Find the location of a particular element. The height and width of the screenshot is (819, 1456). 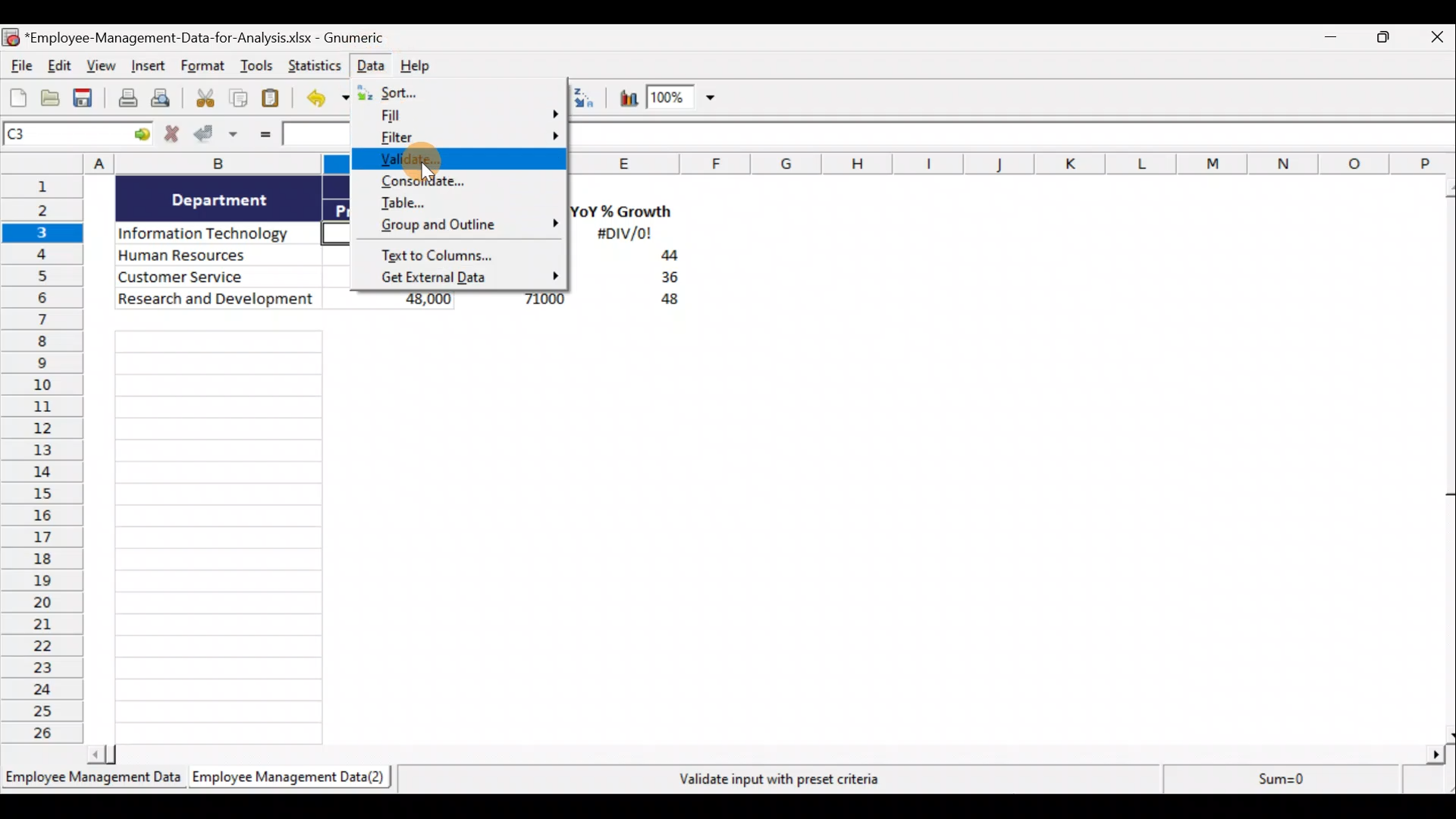

File is located at coordinates (18, 67).